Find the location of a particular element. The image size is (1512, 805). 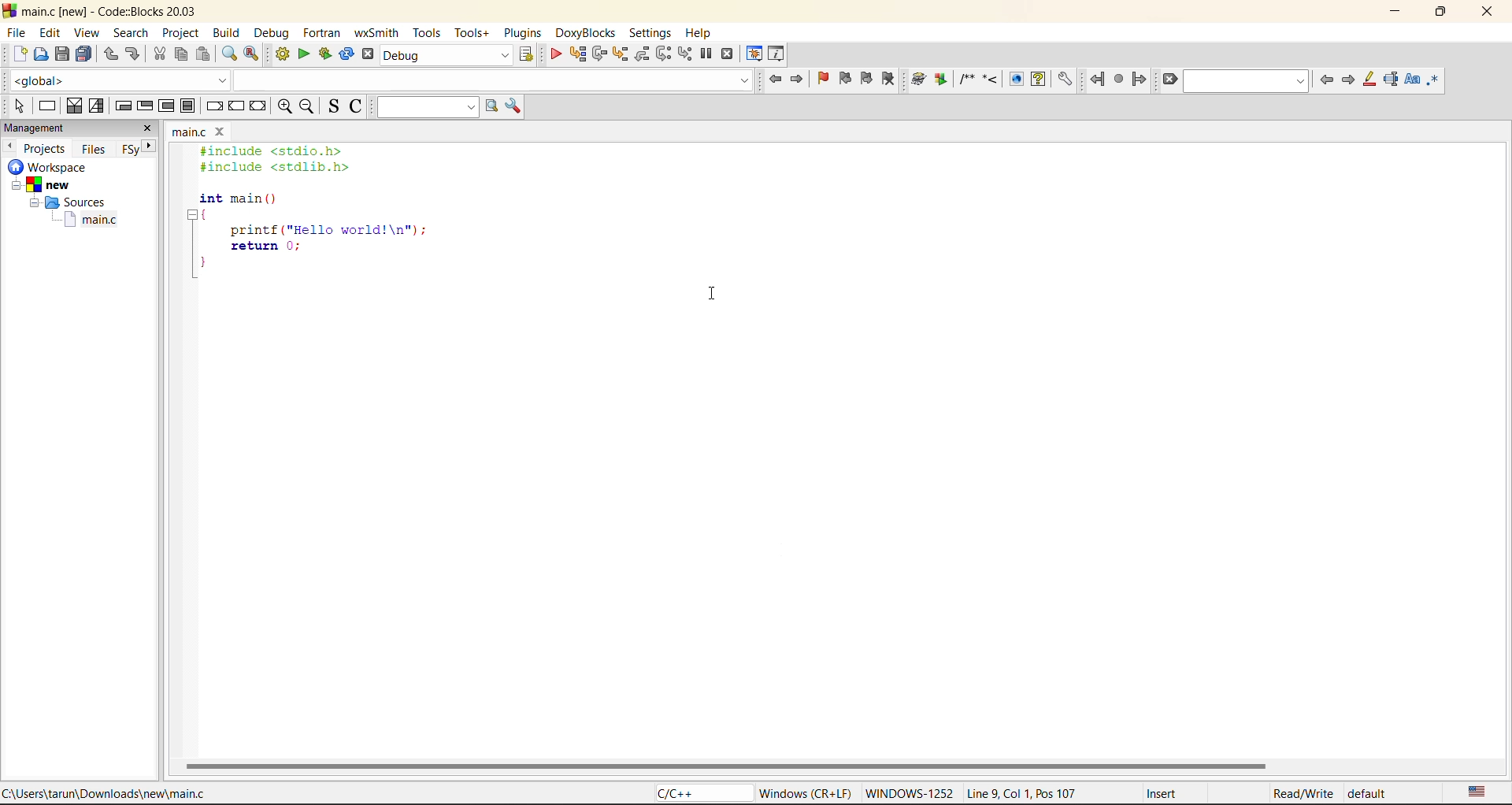

higlight is located at coordinates (1370, 80).